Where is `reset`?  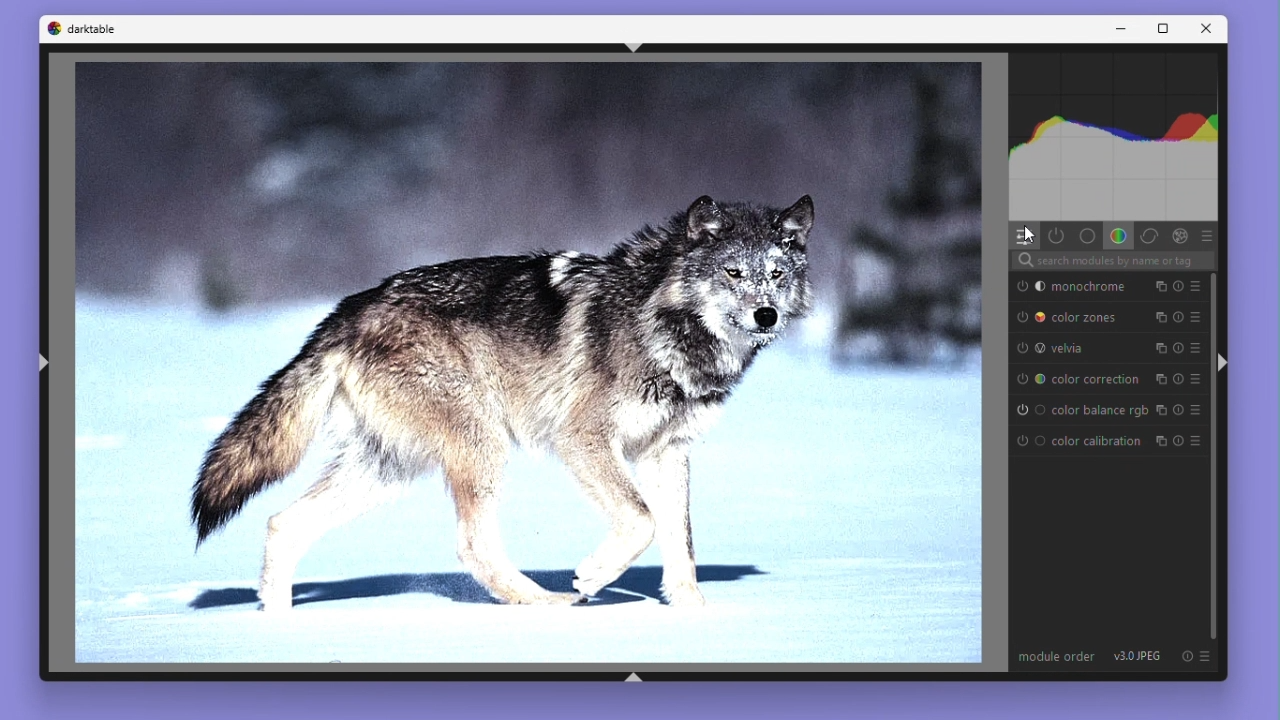 reset is located at coordinates (1179, 380).